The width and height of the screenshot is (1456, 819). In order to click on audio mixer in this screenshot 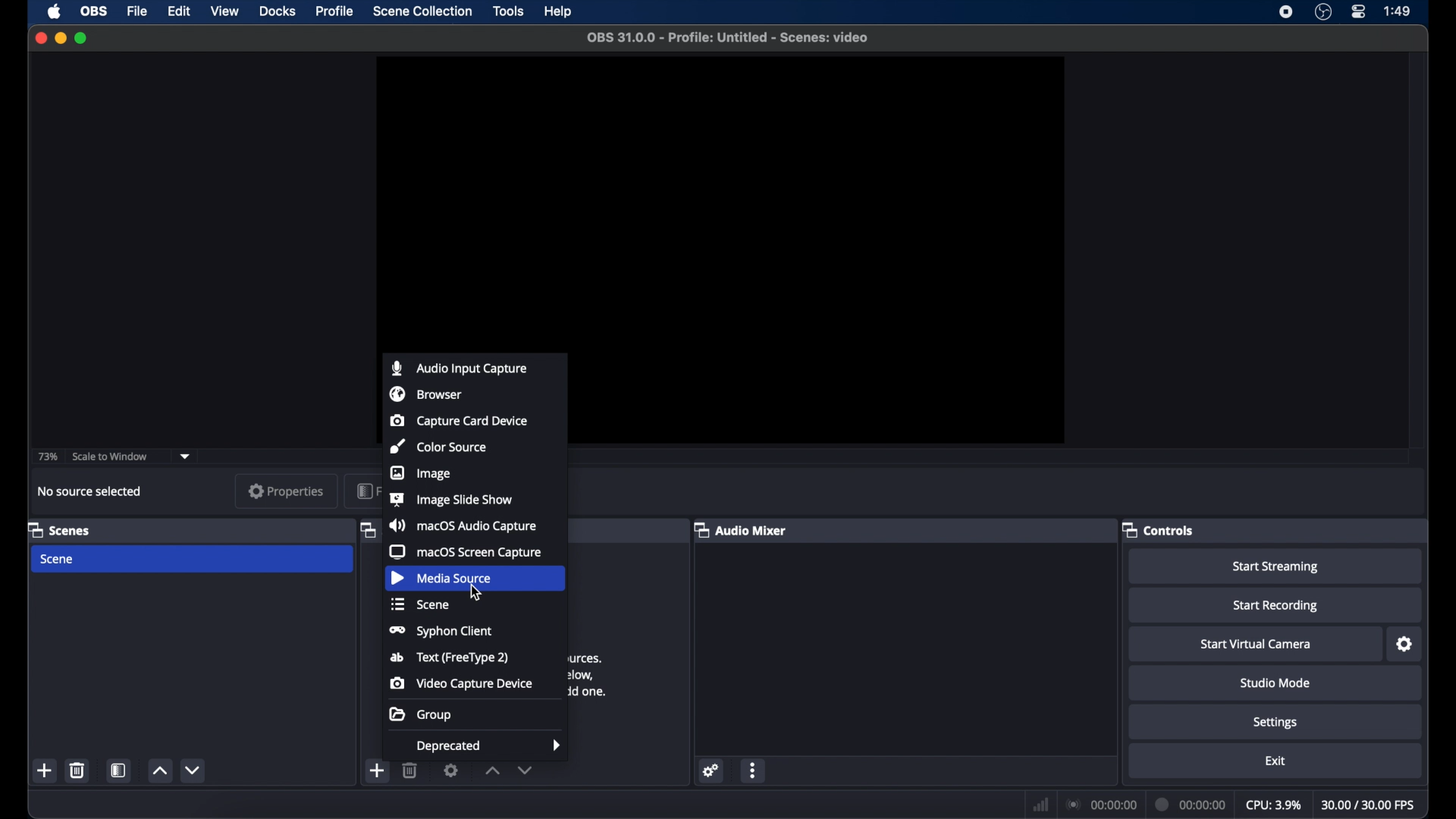, I will do `click(739, 529)`.